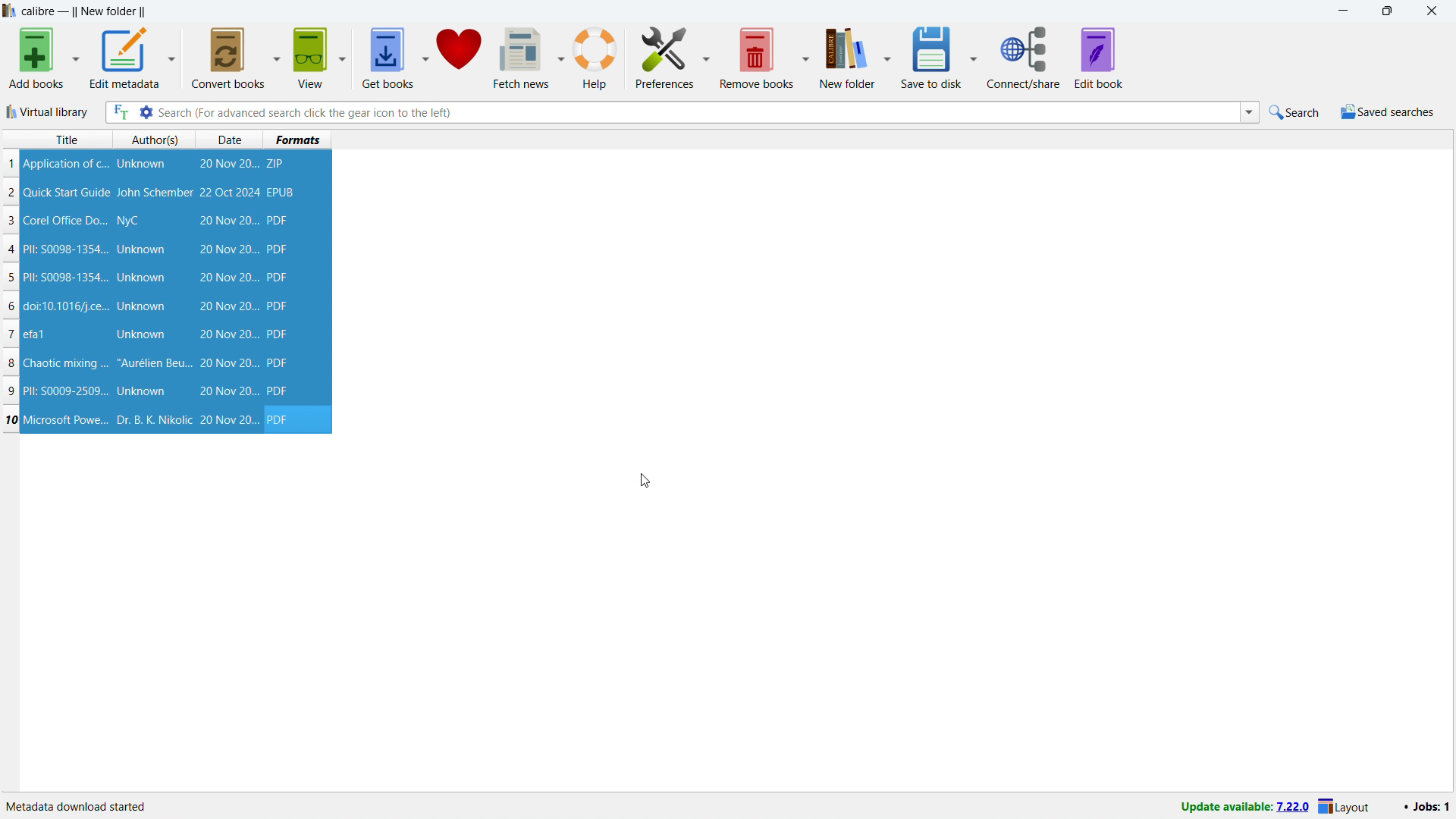 The width and height of the screenshot is (1456, 819). What do you see at coordinates (11, 334) in the screenshot?
I see `7` at bounding box center [11, 334].